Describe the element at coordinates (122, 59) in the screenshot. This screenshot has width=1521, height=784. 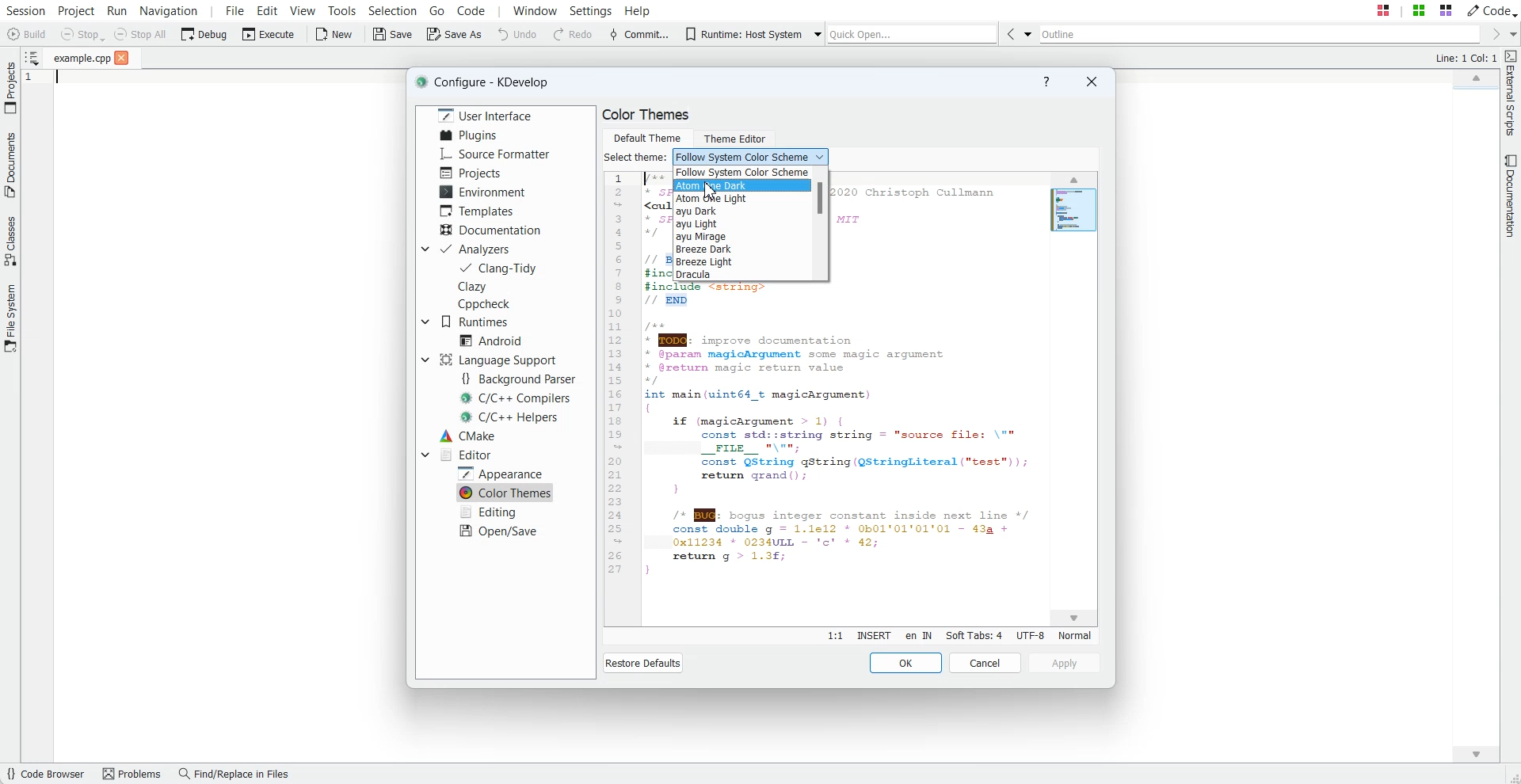
I see `close` at that location.